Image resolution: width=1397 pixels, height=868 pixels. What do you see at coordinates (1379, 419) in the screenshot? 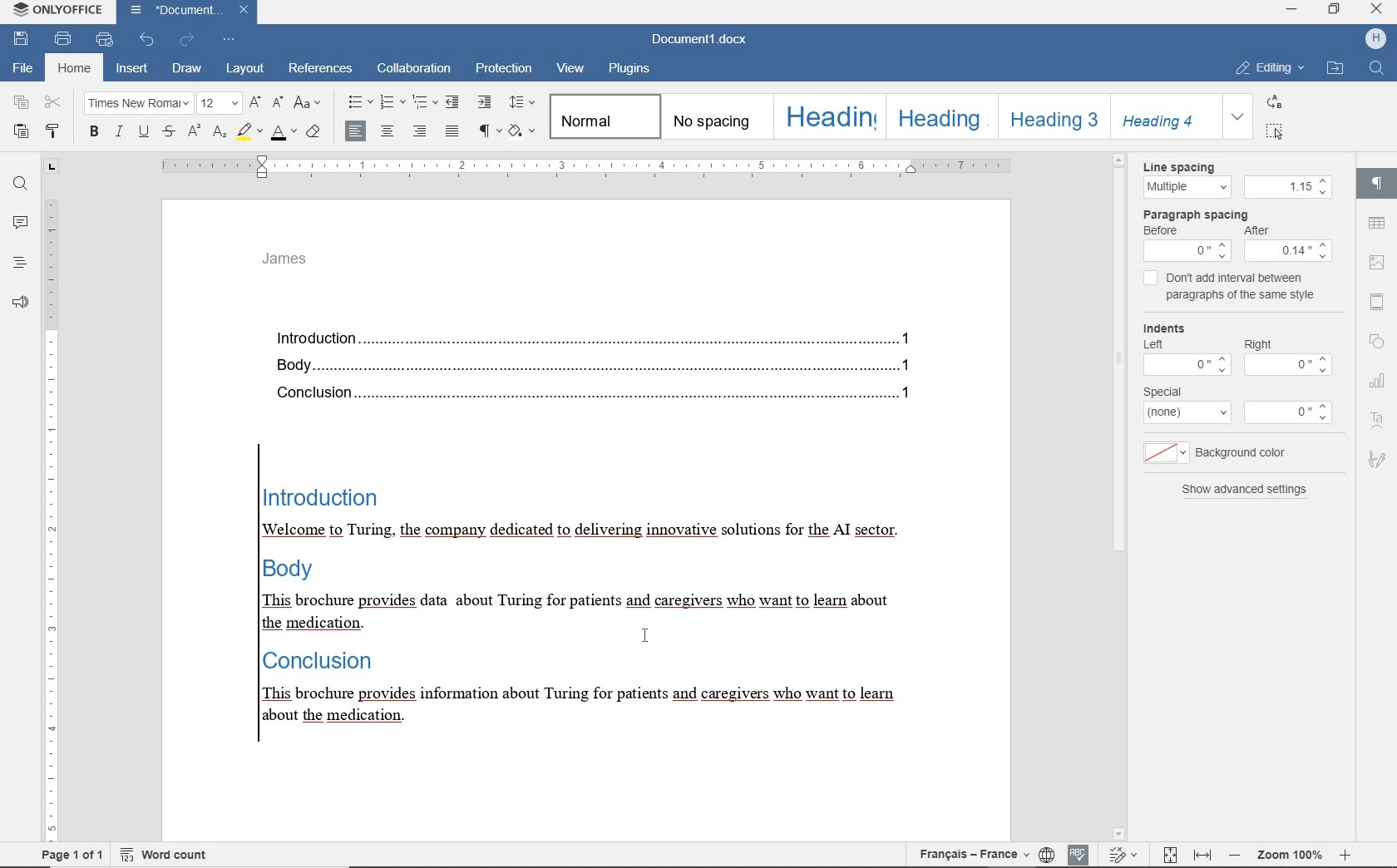
I see `text art` at bounding box center [1379, 419].